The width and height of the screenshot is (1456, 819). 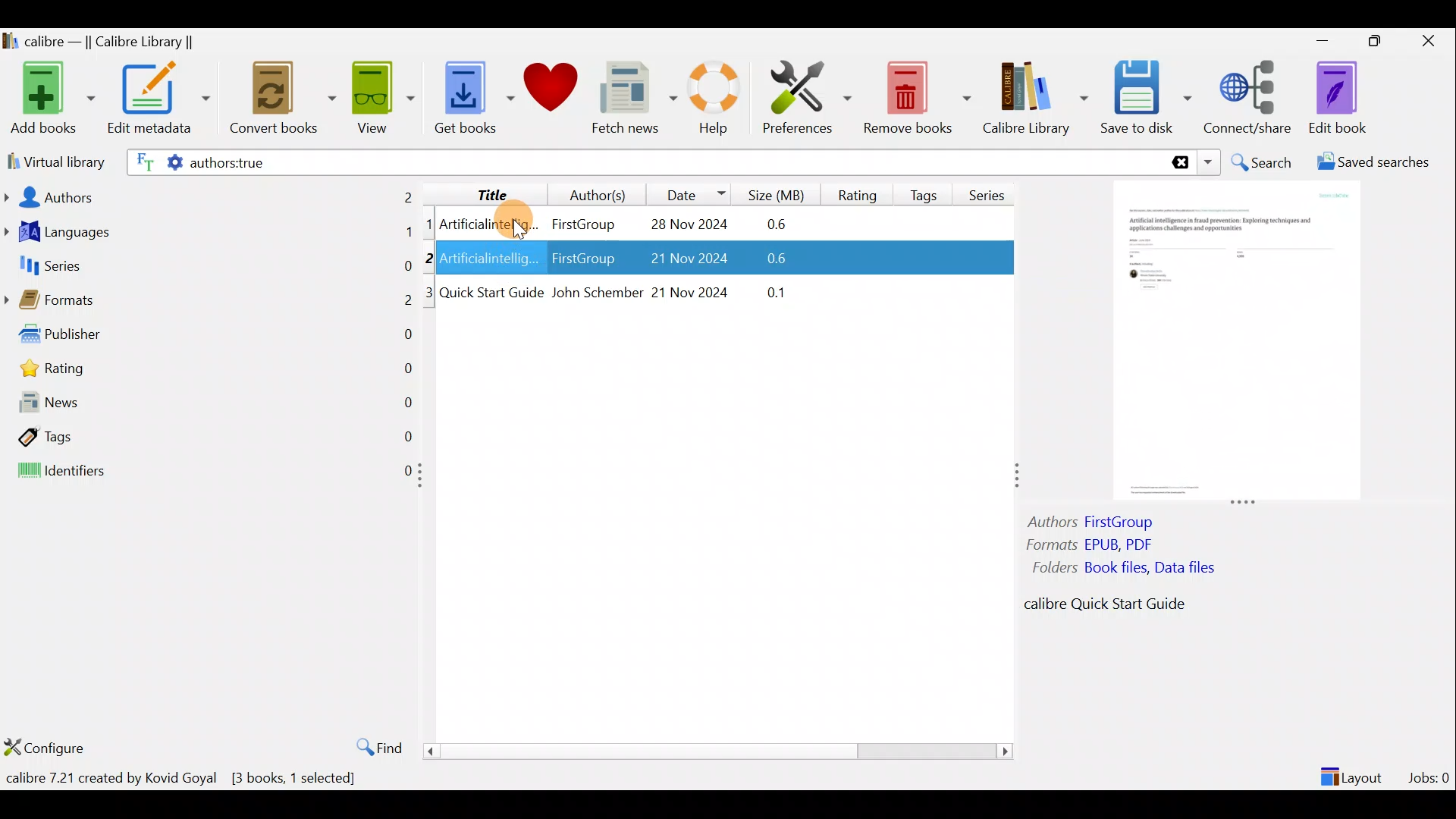 I want to click on Clear search result, so click(x=1178, y=163).